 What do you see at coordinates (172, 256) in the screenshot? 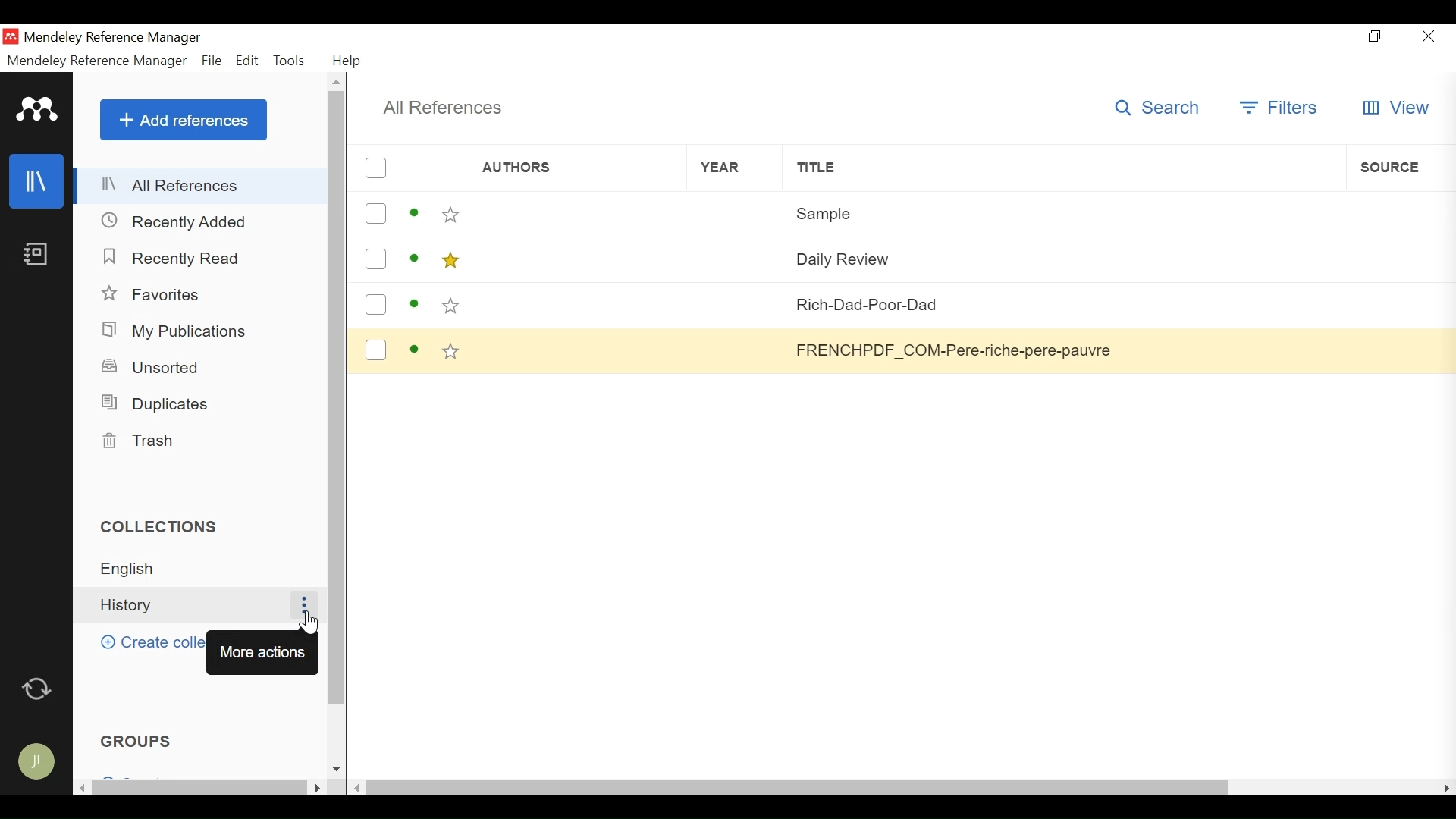
I see `Recently Read` at bounding box center [172, 256].